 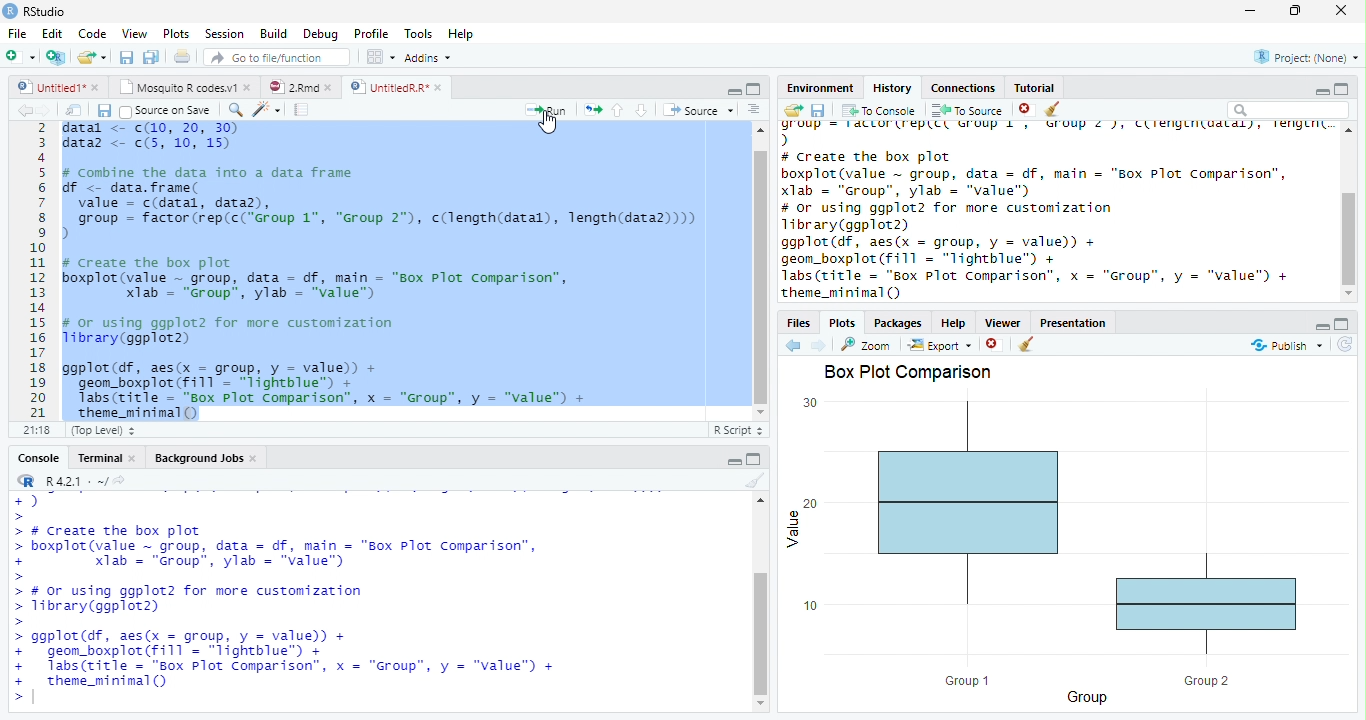 What do you see at coordinates (95, 87) in the screenshot?
I see `close` at bounding box center [95, 87].